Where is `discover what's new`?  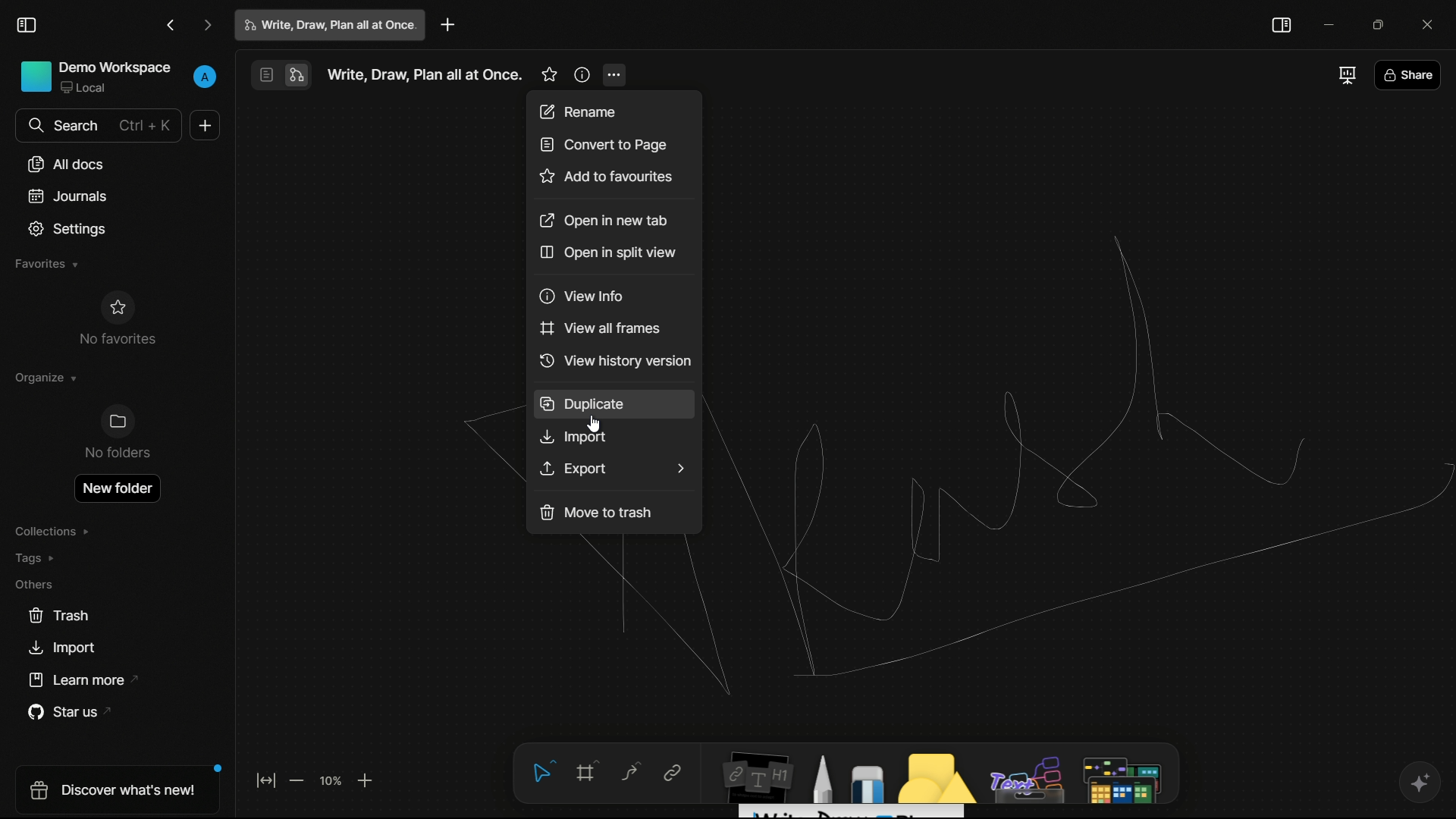
discover what's new is located at coordinates (115, 787).